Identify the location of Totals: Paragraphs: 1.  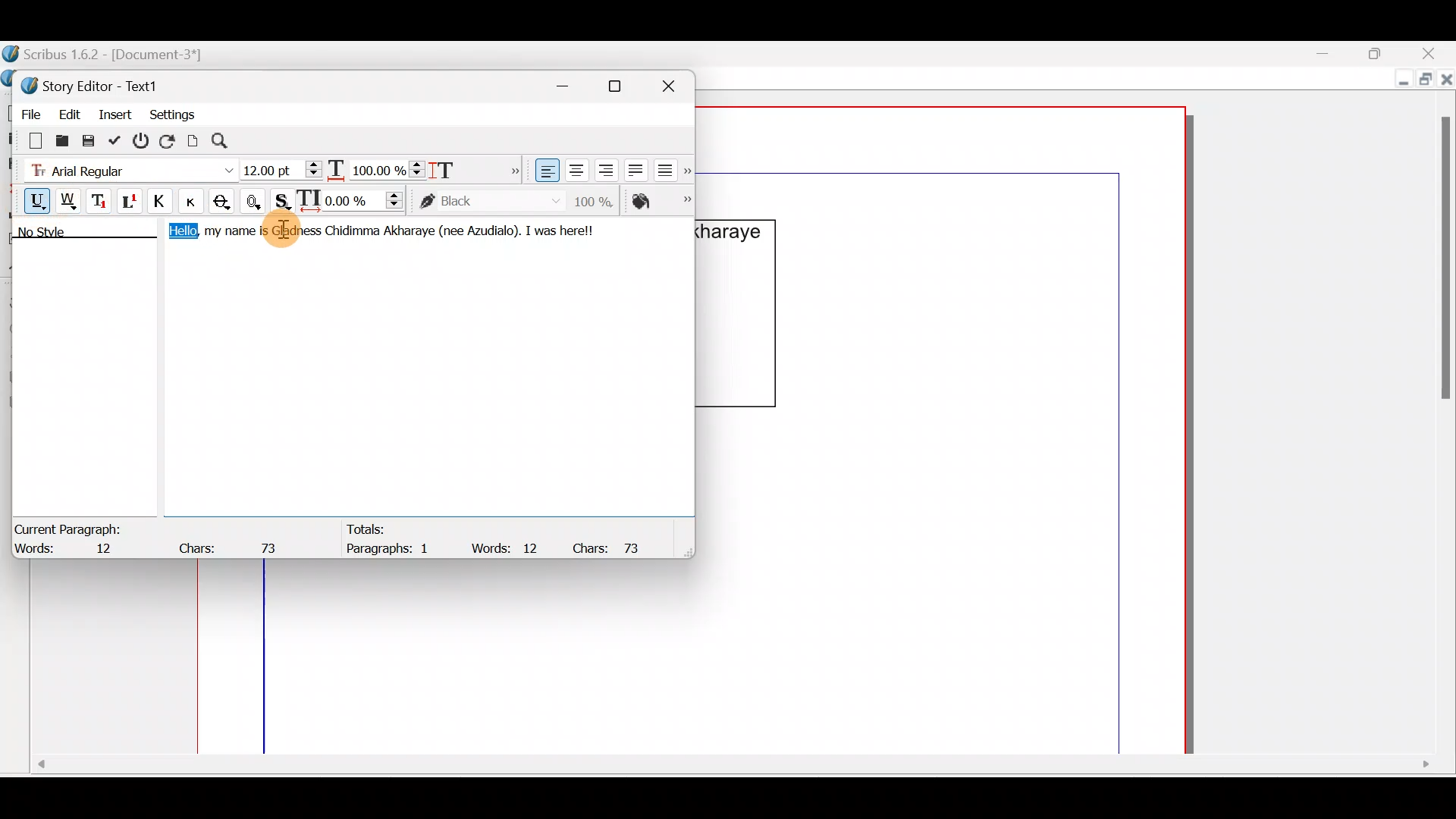
(393, 538).